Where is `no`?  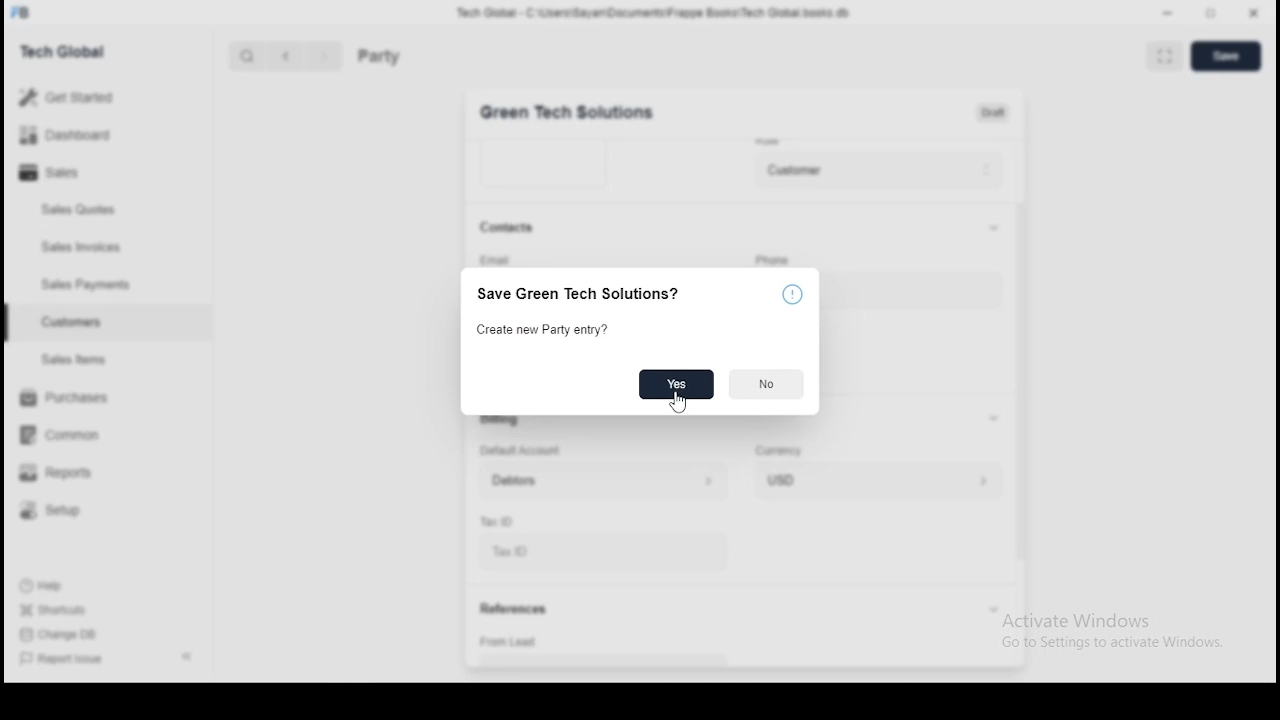 no is located at coordinates (766, 384).